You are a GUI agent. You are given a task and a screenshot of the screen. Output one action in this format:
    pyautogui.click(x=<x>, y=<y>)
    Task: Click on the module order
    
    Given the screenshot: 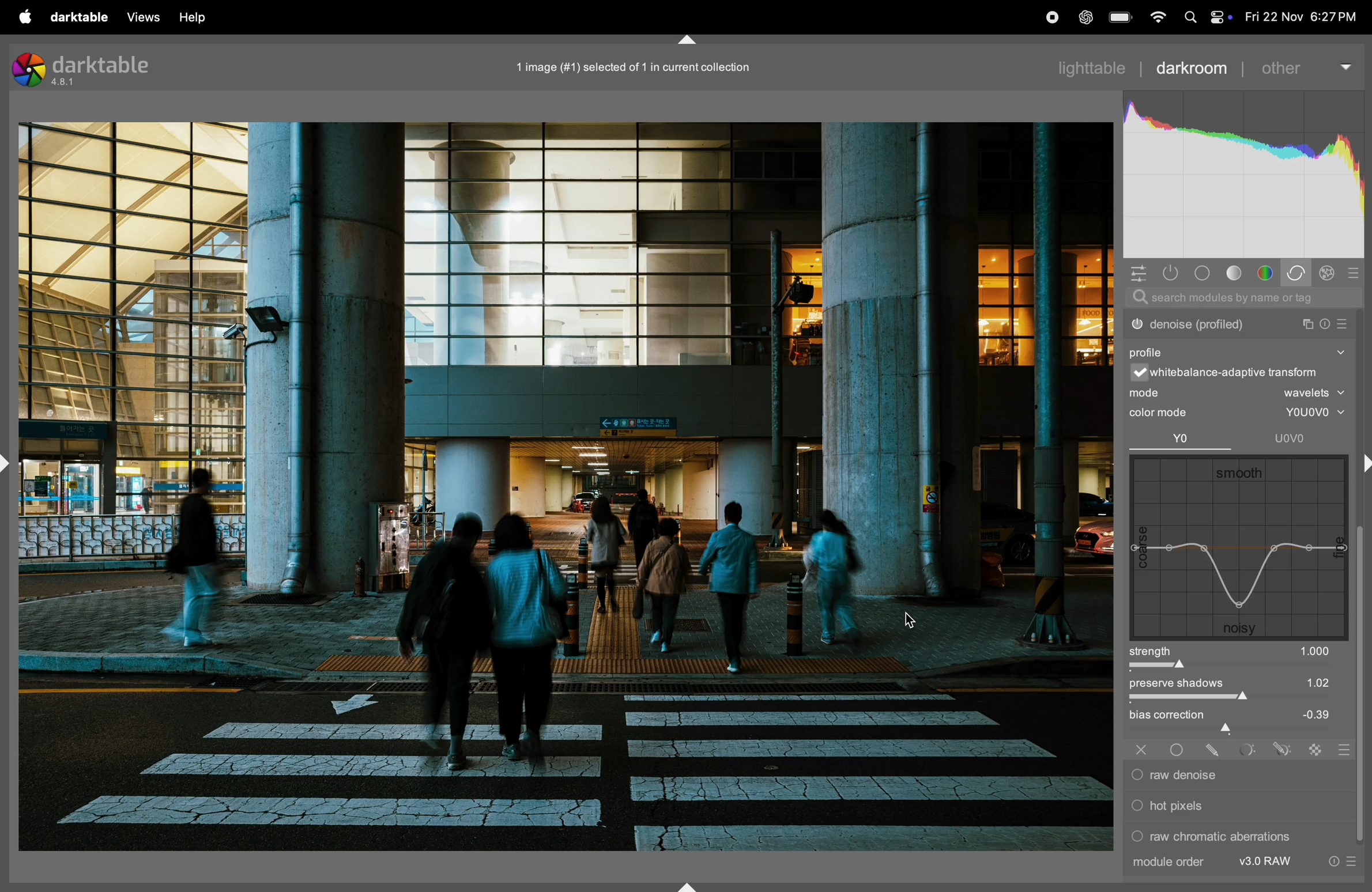 What is the action you would take?
    pyautogui.click(x=1208, y=862)
    